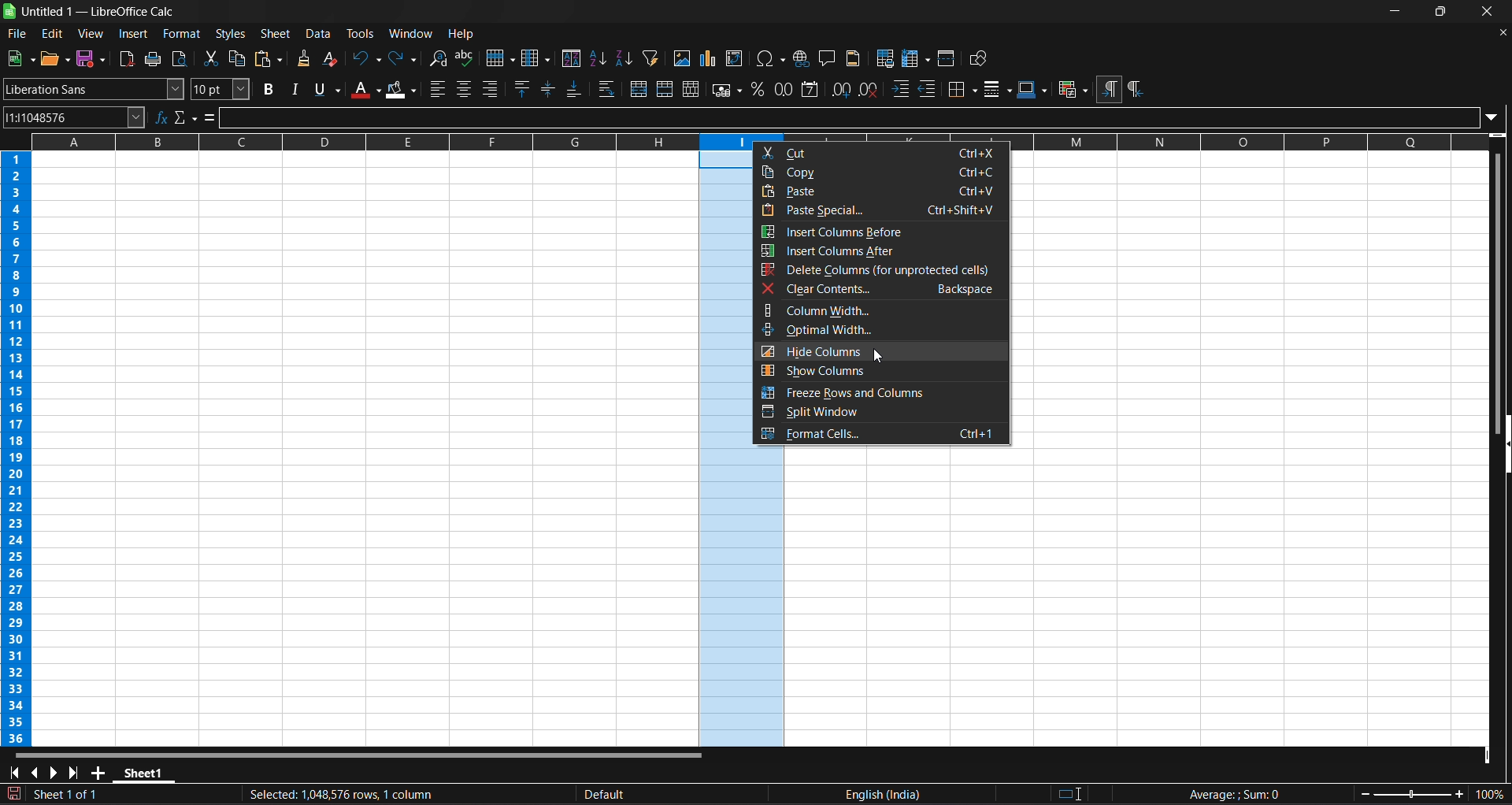  I want to click on row, so click(501, 58).